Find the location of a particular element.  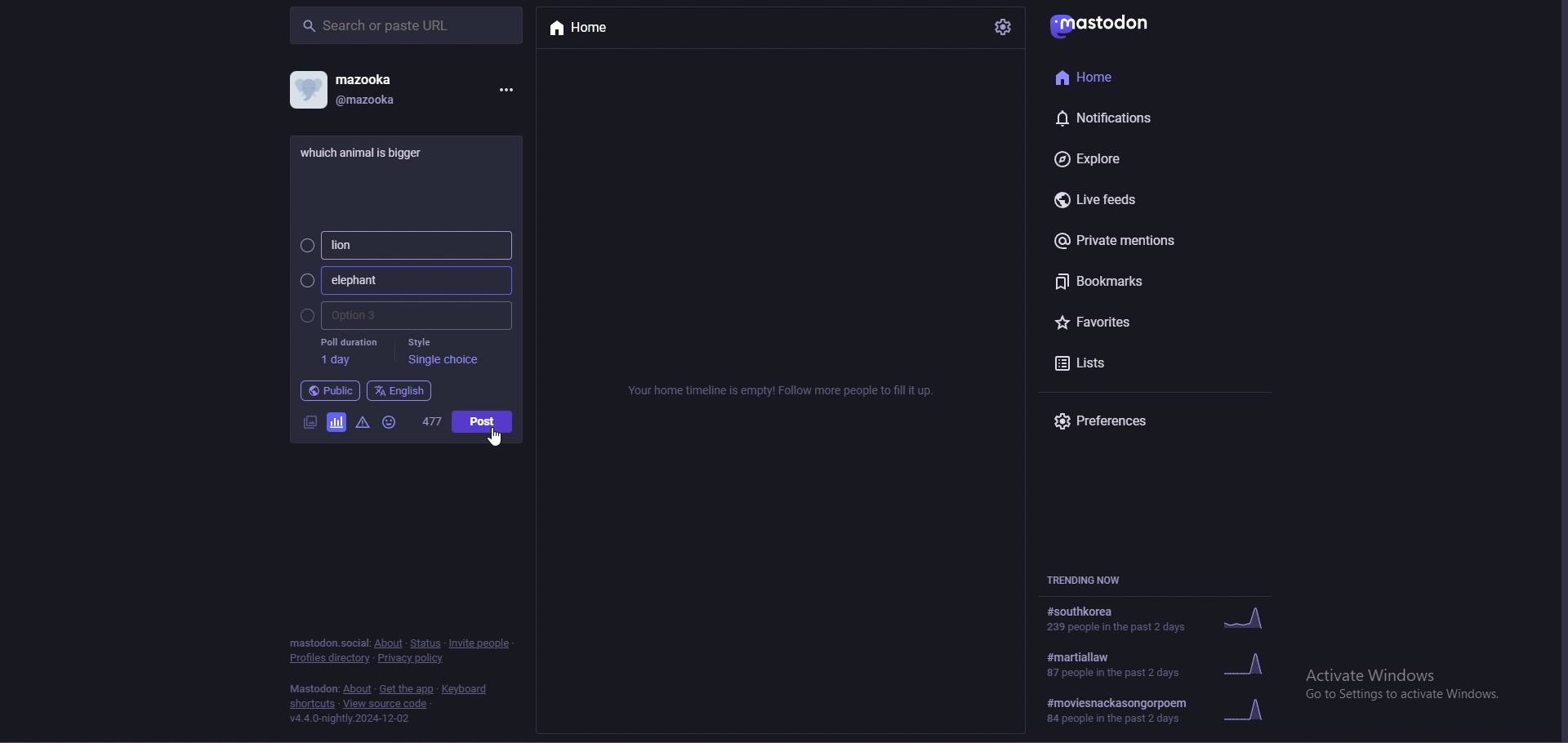

v4.4.0-nightly.2024-12-02 is located at coordinates (350, 719).